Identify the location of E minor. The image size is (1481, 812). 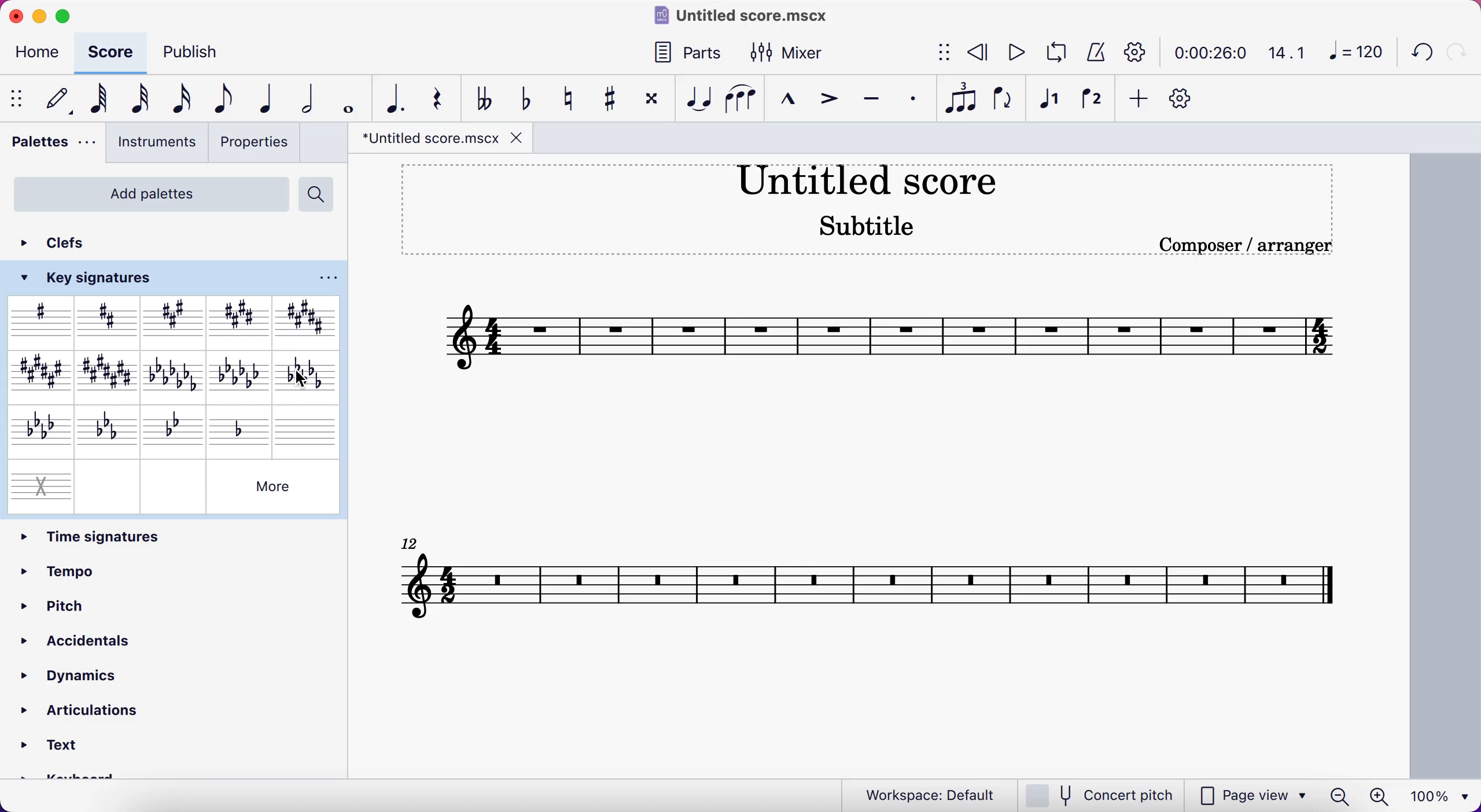
(241, 376).